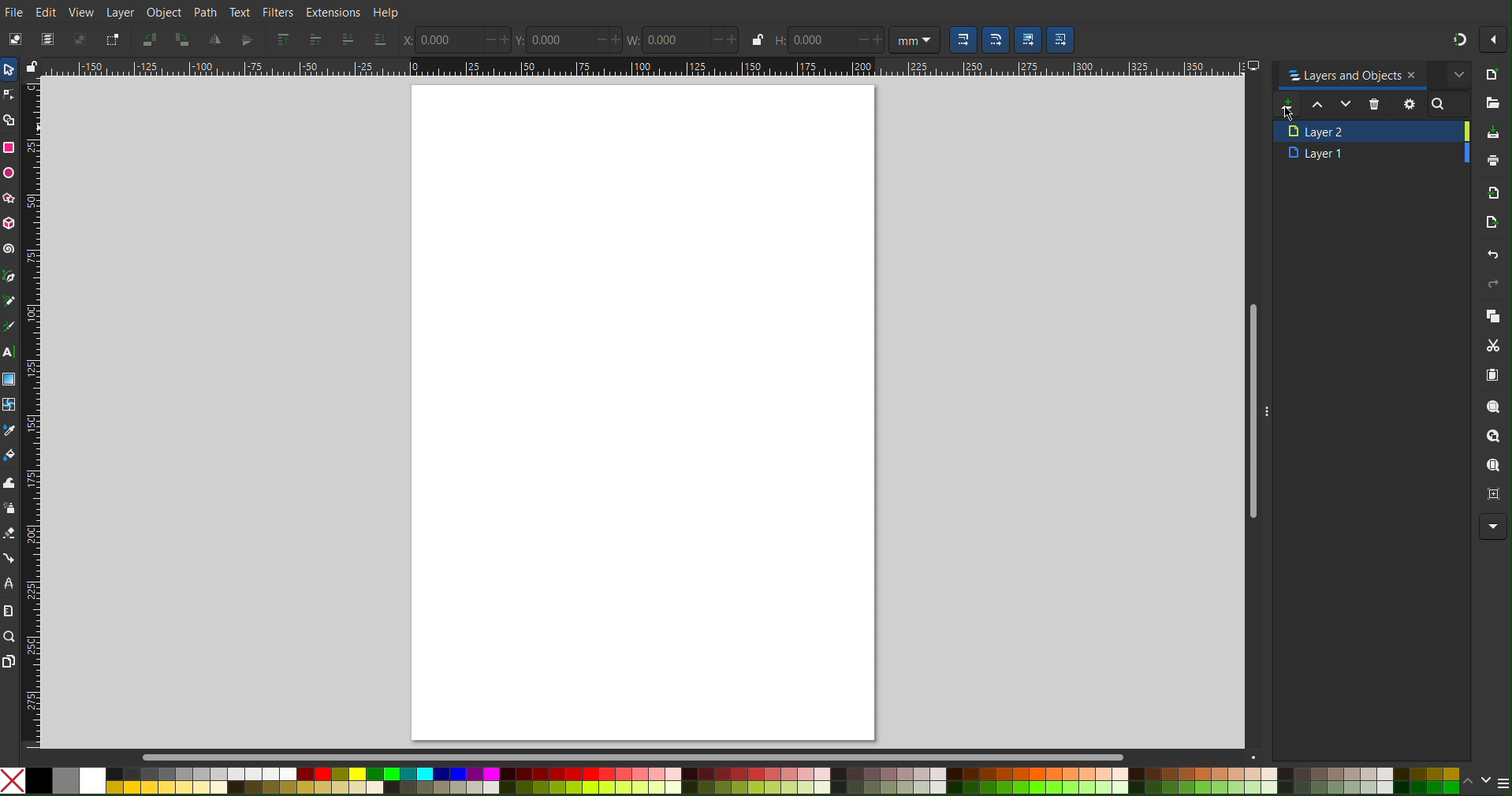  I want to click on X Coords, so click(459, 41).